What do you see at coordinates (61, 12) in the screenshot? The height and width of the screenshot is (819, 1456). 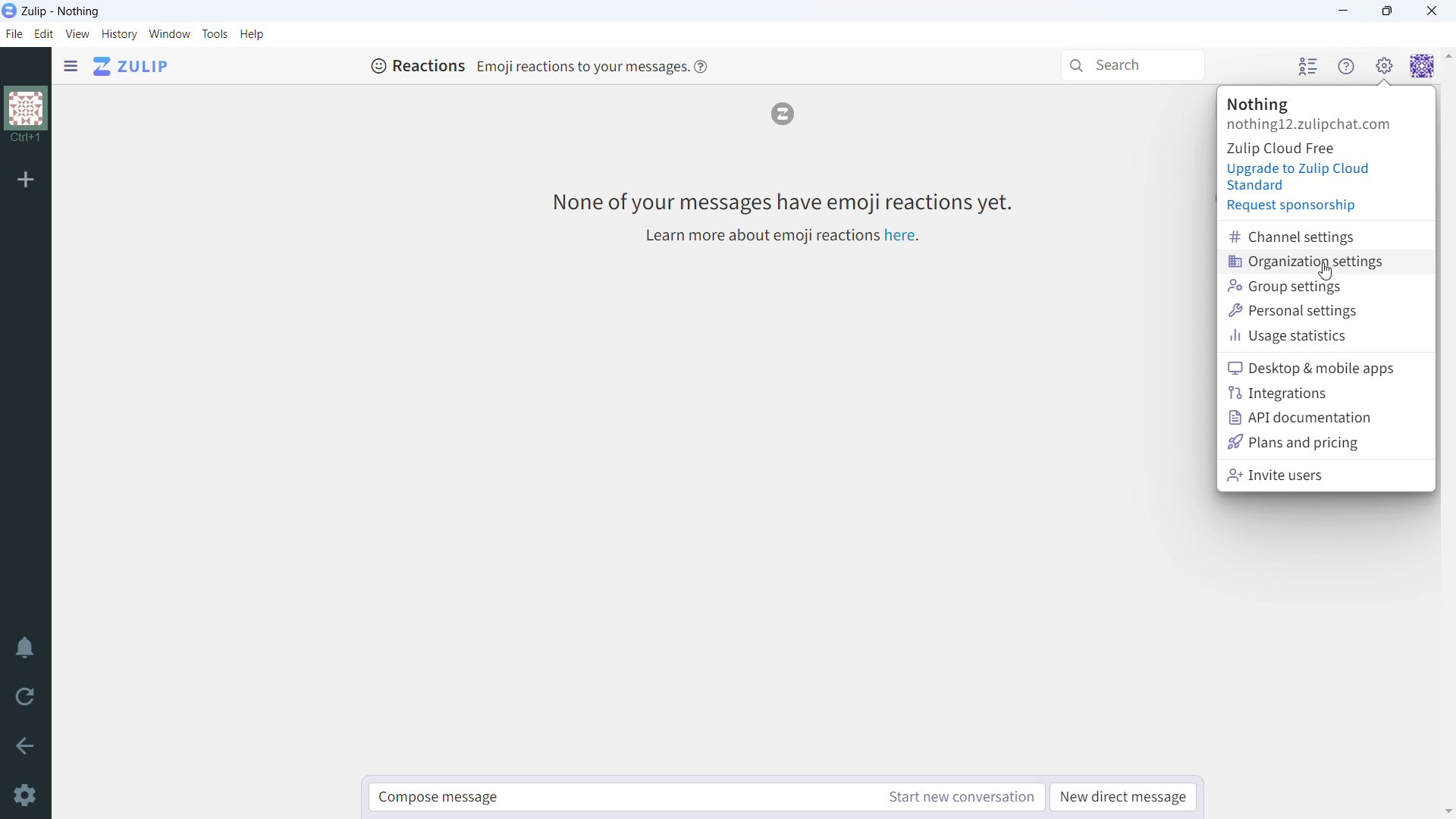 I see `title` at bounding box center [61, 12].